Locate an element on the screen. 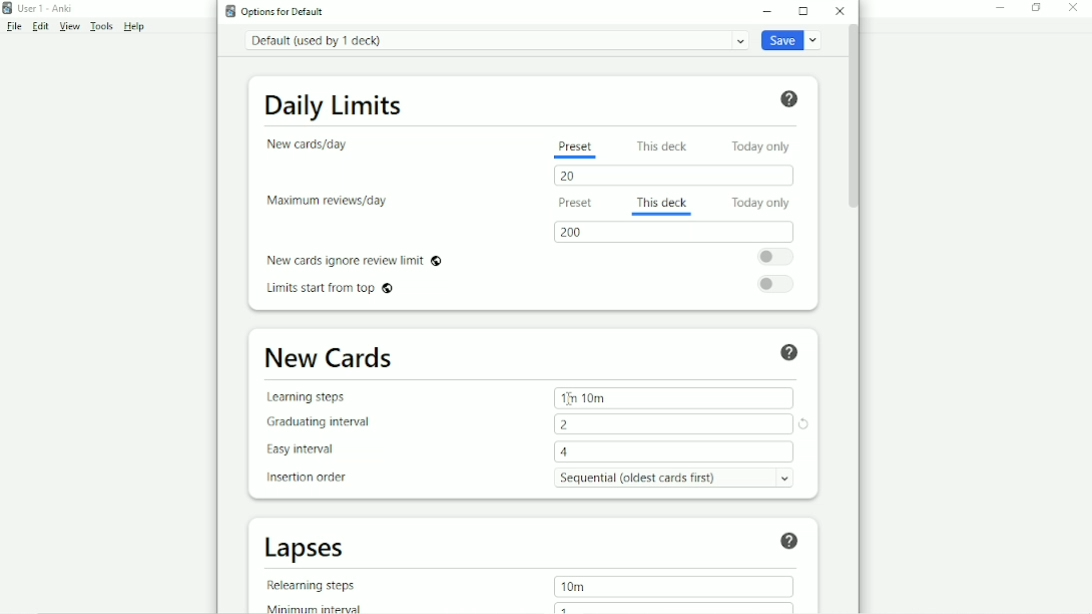  Help is located at coordinates (787, 98).